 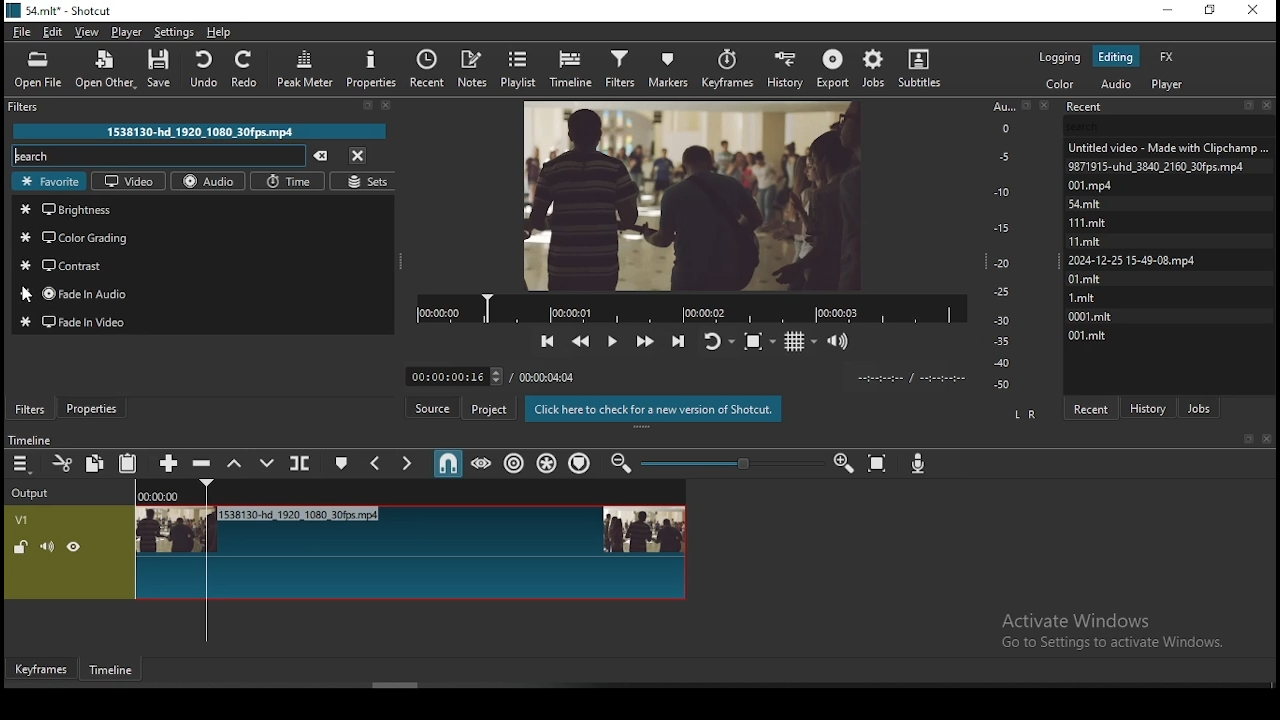 What do you see at coordinates (1089, 221) in the screenshot?
I see `111.Mmit` at bounding box center [1089, 221].